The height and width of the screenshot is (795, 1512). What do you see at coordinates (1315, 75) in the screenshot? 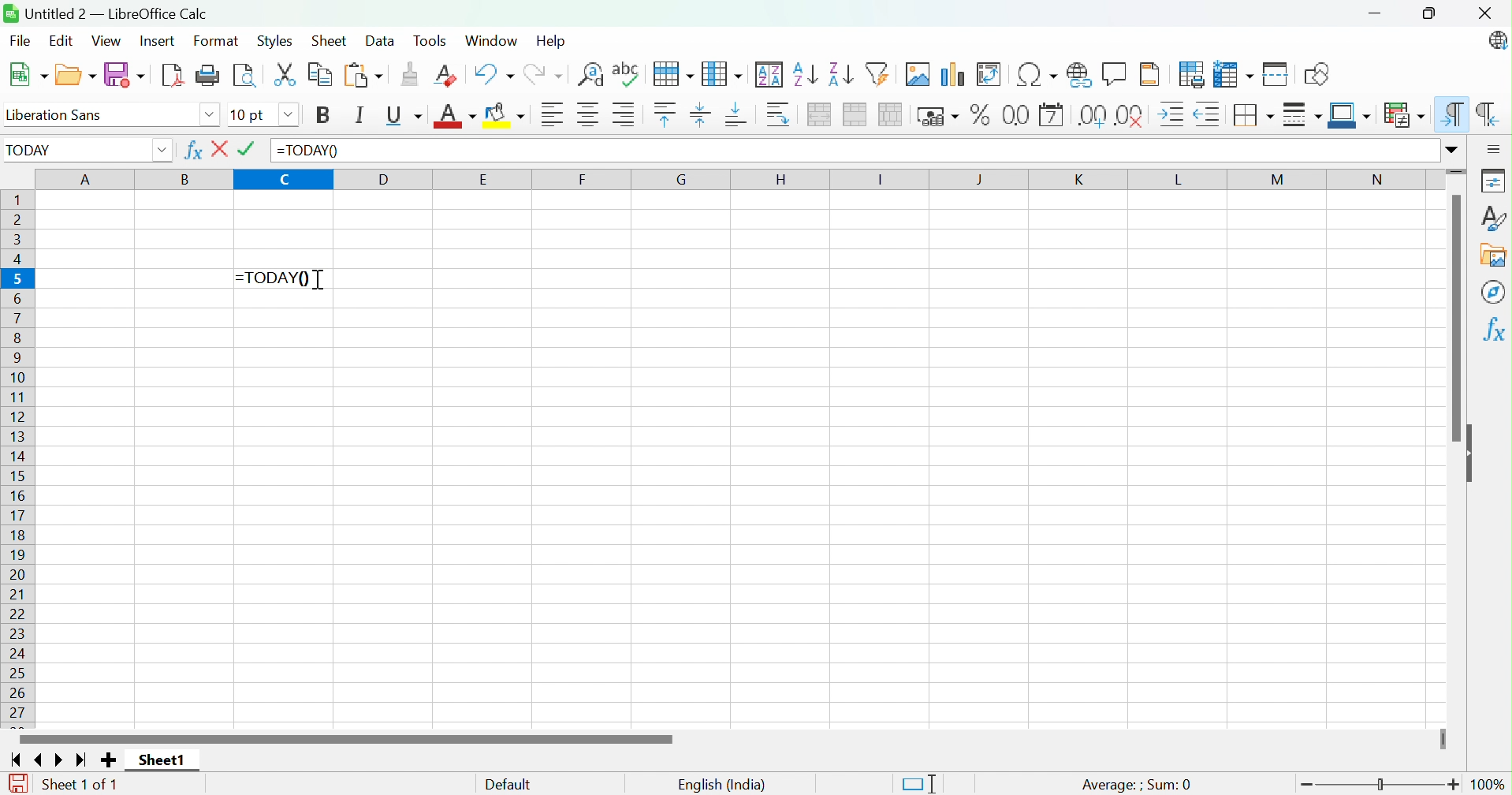
I see `Show draw functions` at bounding box center [1315, 75].